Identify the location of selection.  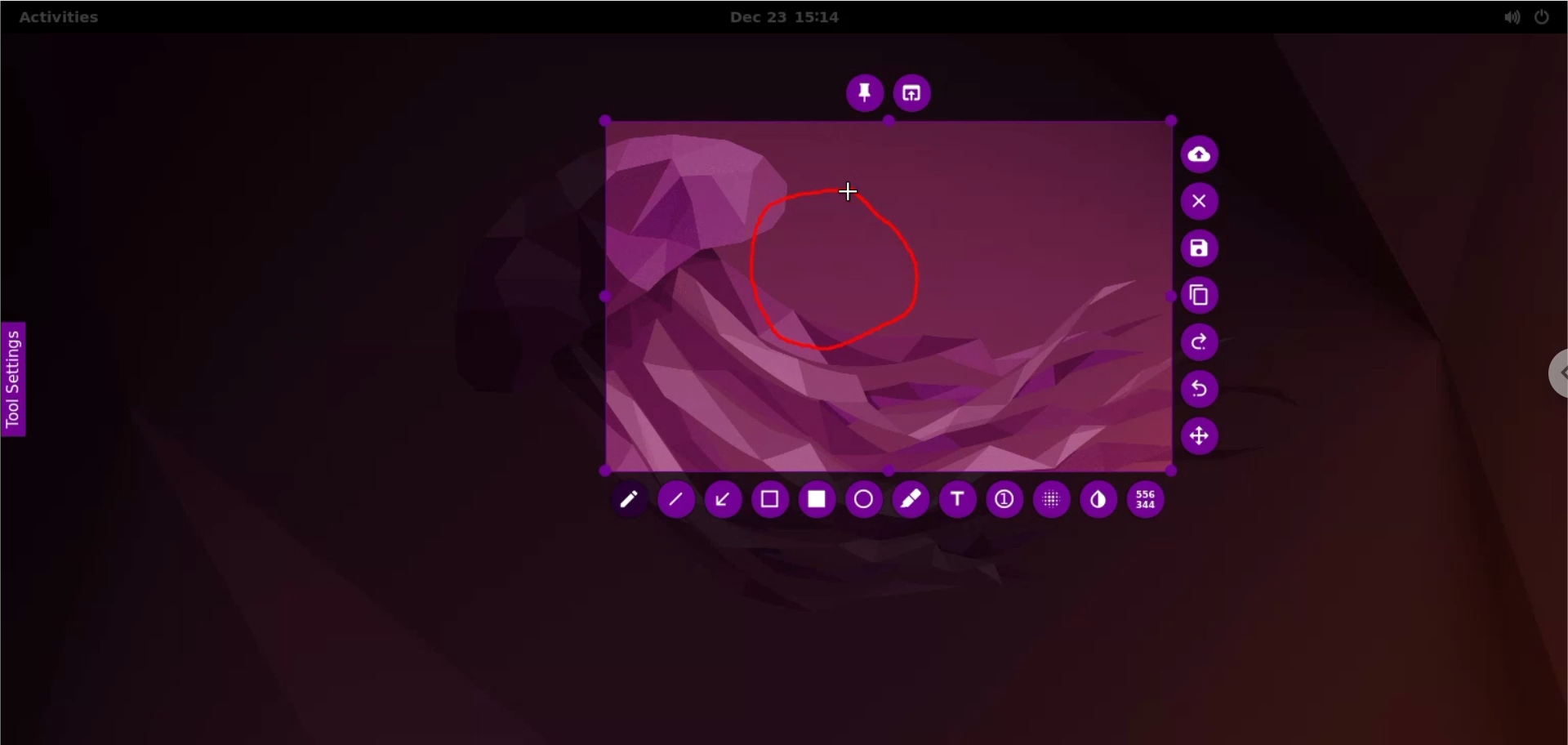
(773, 500).